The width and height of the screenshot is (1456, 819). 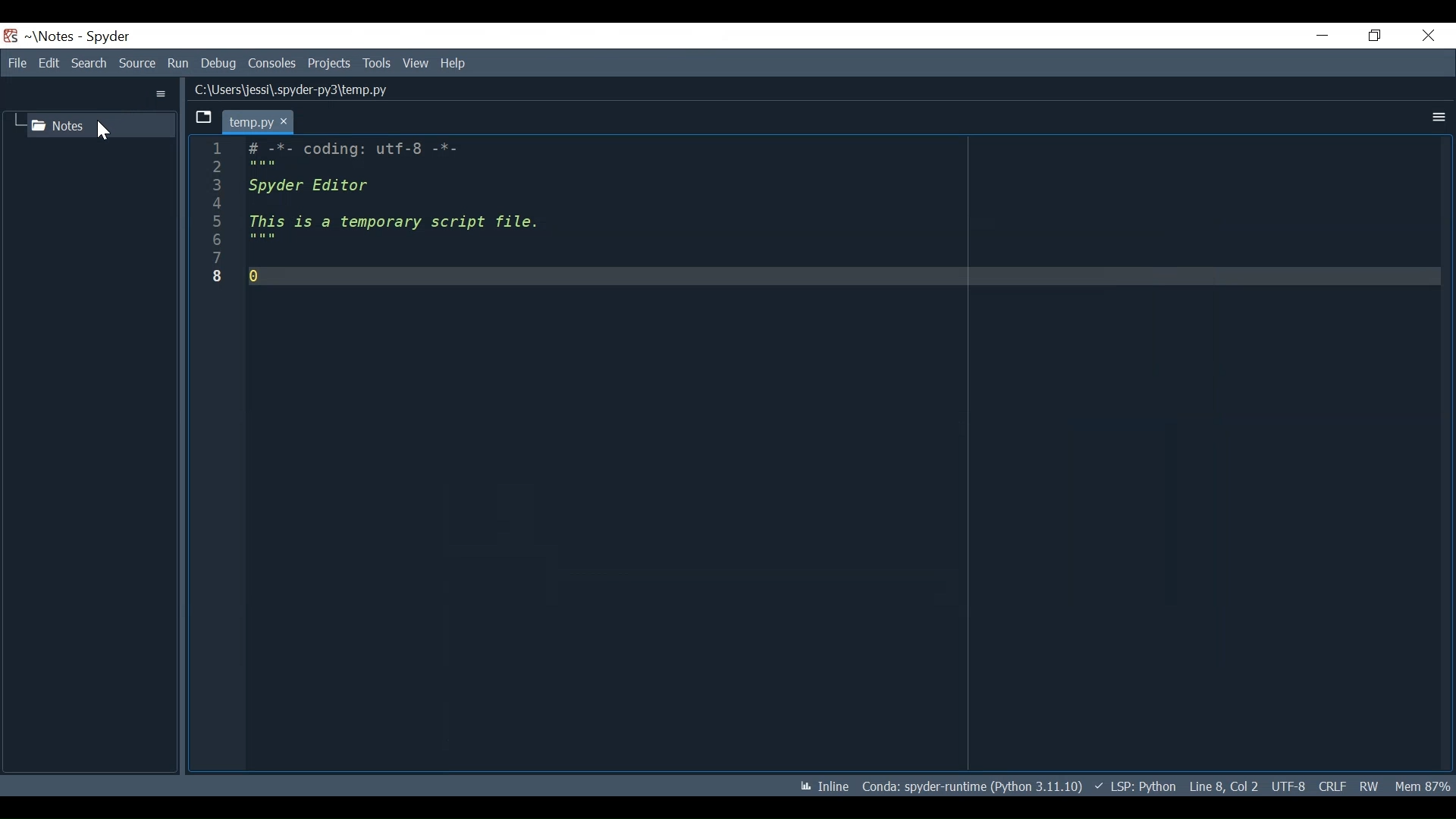 What do you see at coordinates (16, 63) in the screenshot?
I see `File` at bounding box center [16, 63].